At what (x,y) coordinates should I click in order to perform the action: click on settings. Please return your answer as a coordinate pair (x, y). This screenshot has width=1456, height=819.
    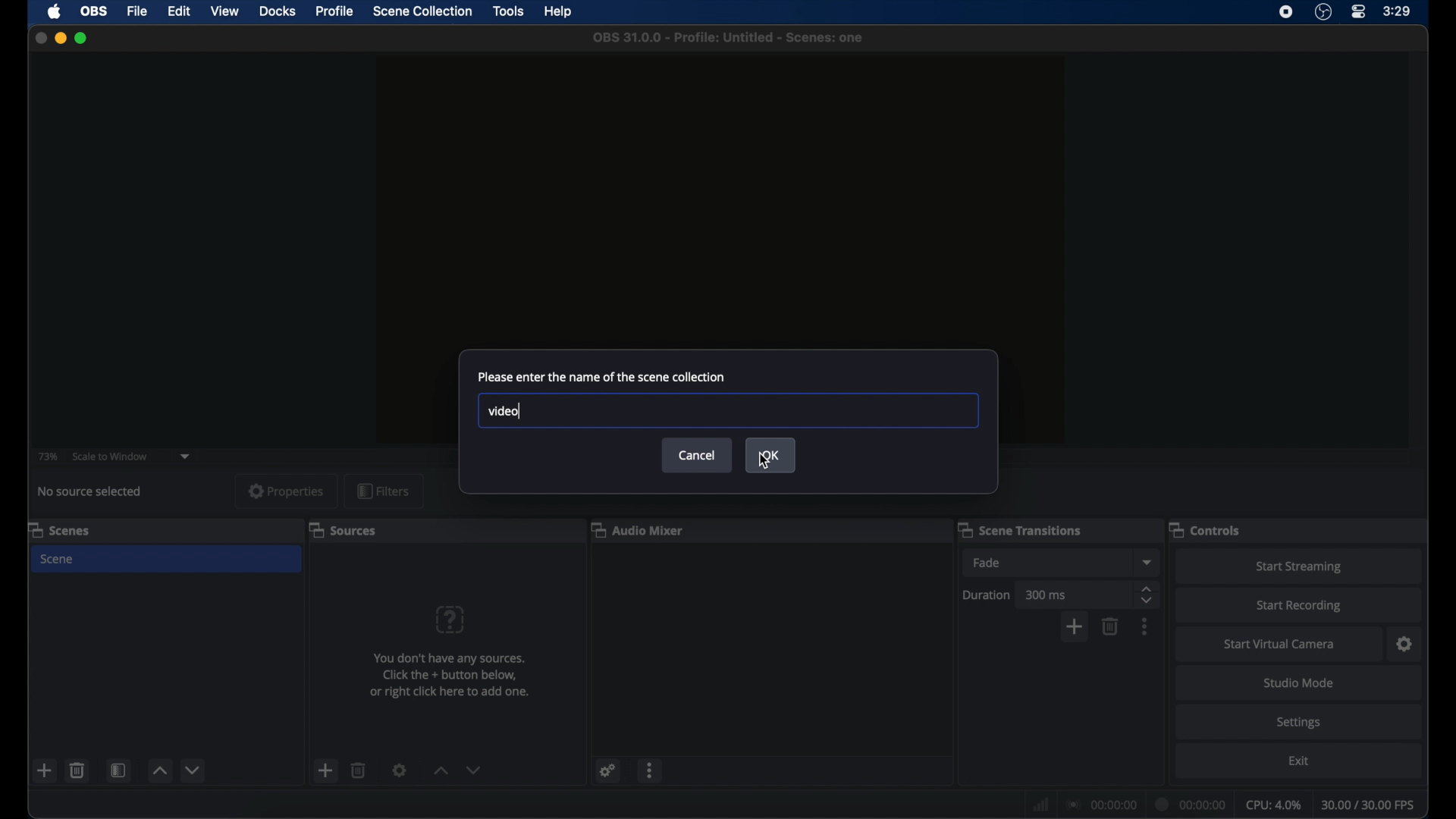
    Looking at the image, I should click on (606, 770).